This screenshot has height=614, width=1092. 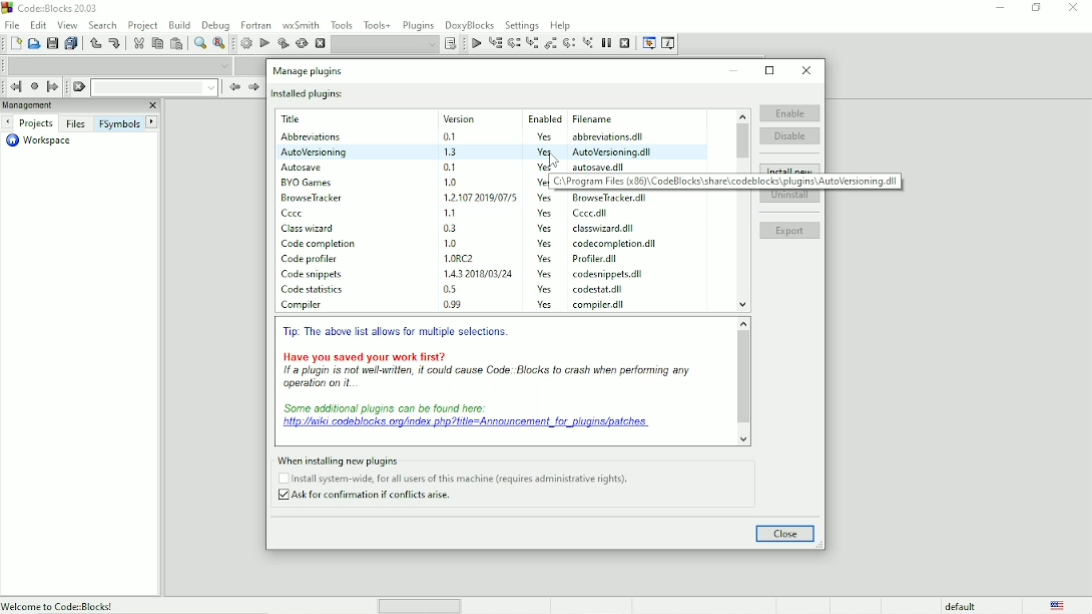 I want to click on Open, so click(x=34, y=44).